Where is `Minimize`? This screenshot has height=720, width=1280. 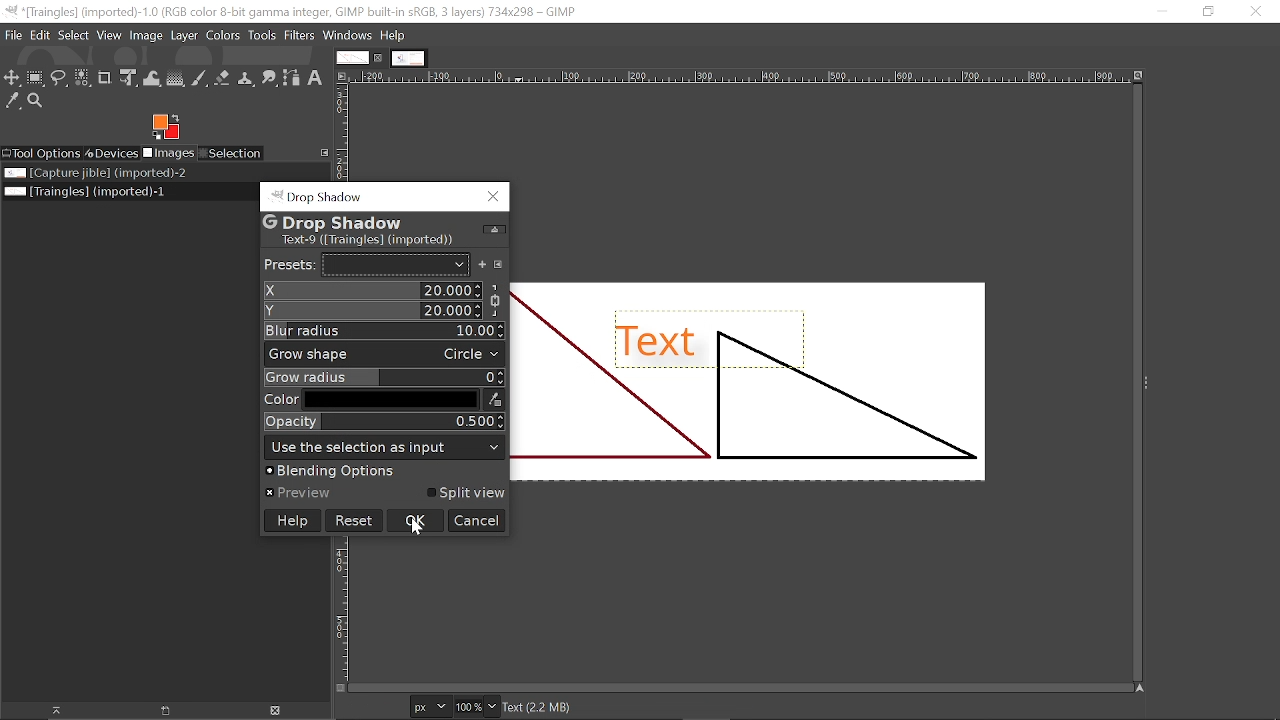 Minimize is located at coordinates (1157, 11).